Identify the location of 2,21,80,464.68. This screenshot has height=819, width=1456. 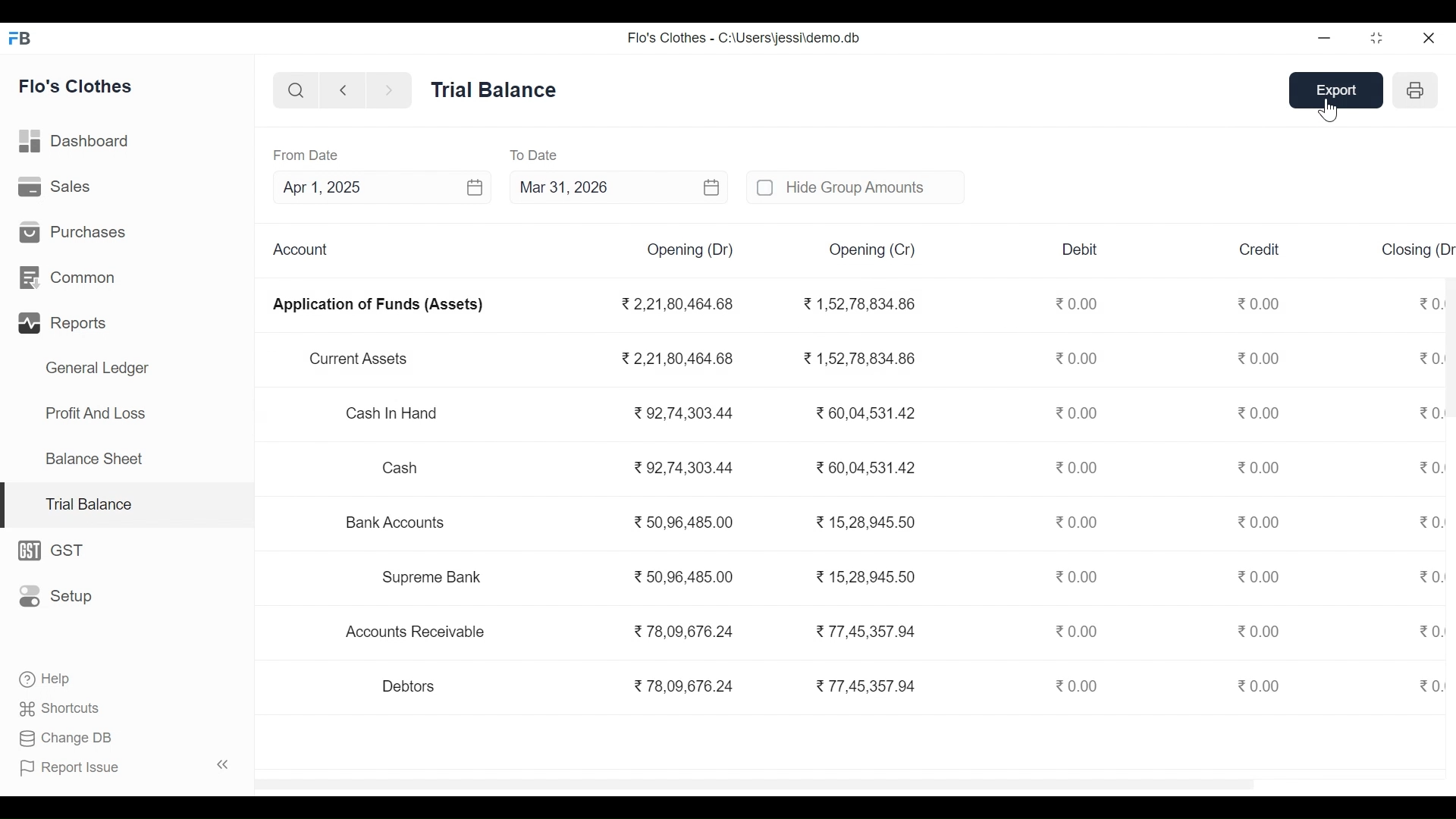
(676, 304).